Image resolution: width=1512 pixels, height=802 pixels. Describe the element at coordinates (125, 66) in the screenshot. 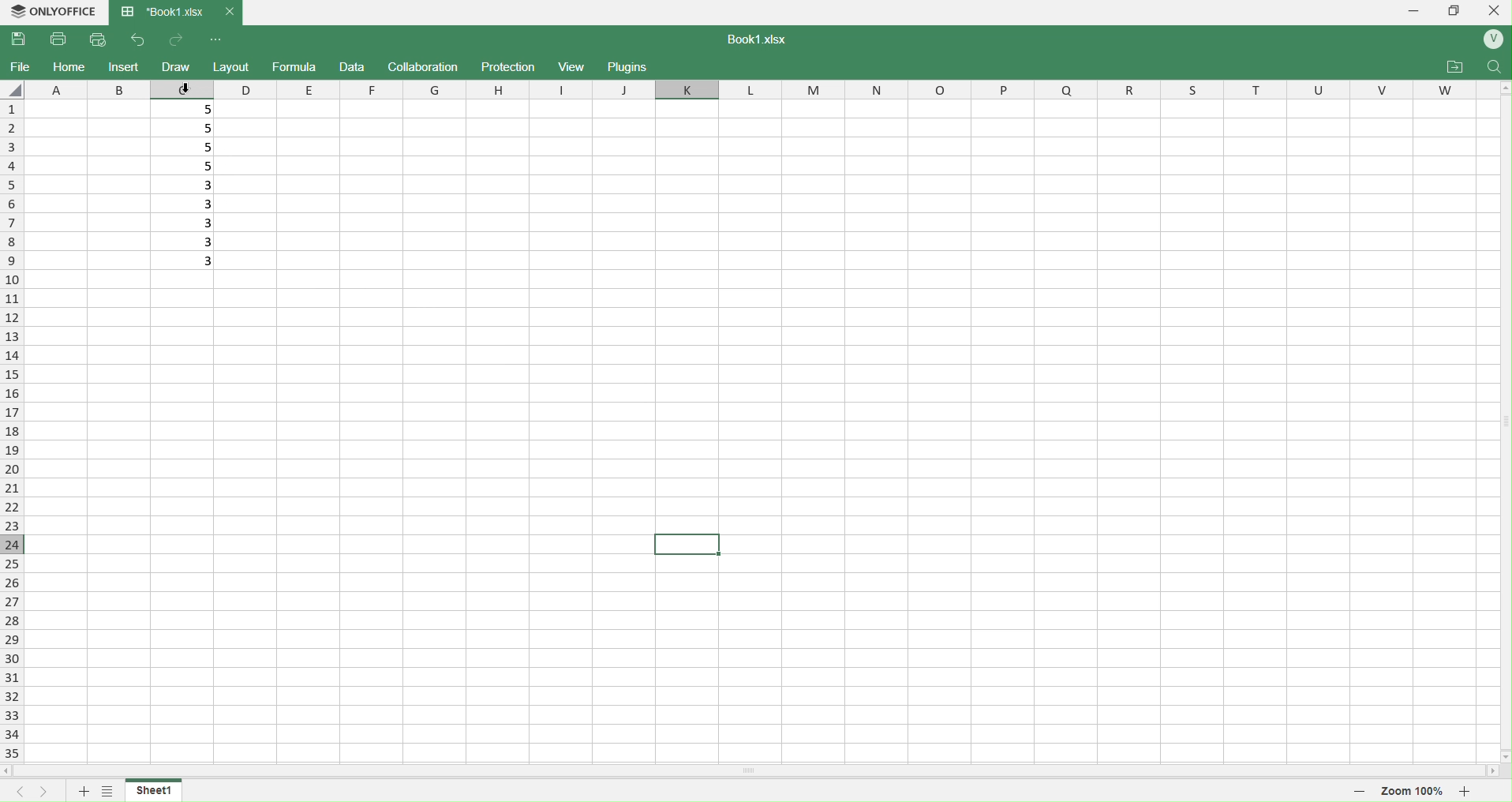

I see `Insert` at that location.